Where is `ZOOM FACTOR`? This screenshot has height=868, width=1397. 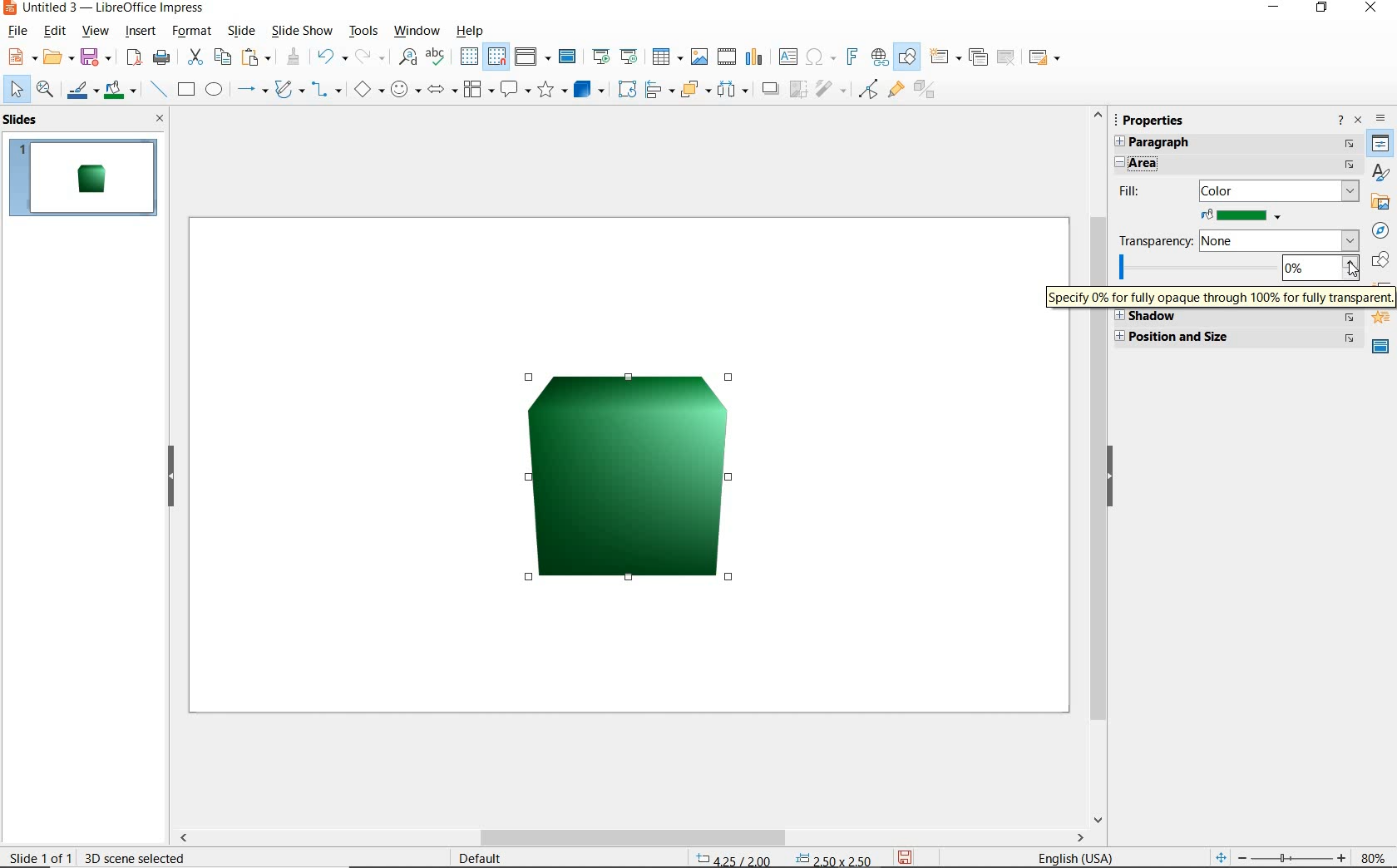
ZOOM FACTOR is located at coordinates (1371, 855).